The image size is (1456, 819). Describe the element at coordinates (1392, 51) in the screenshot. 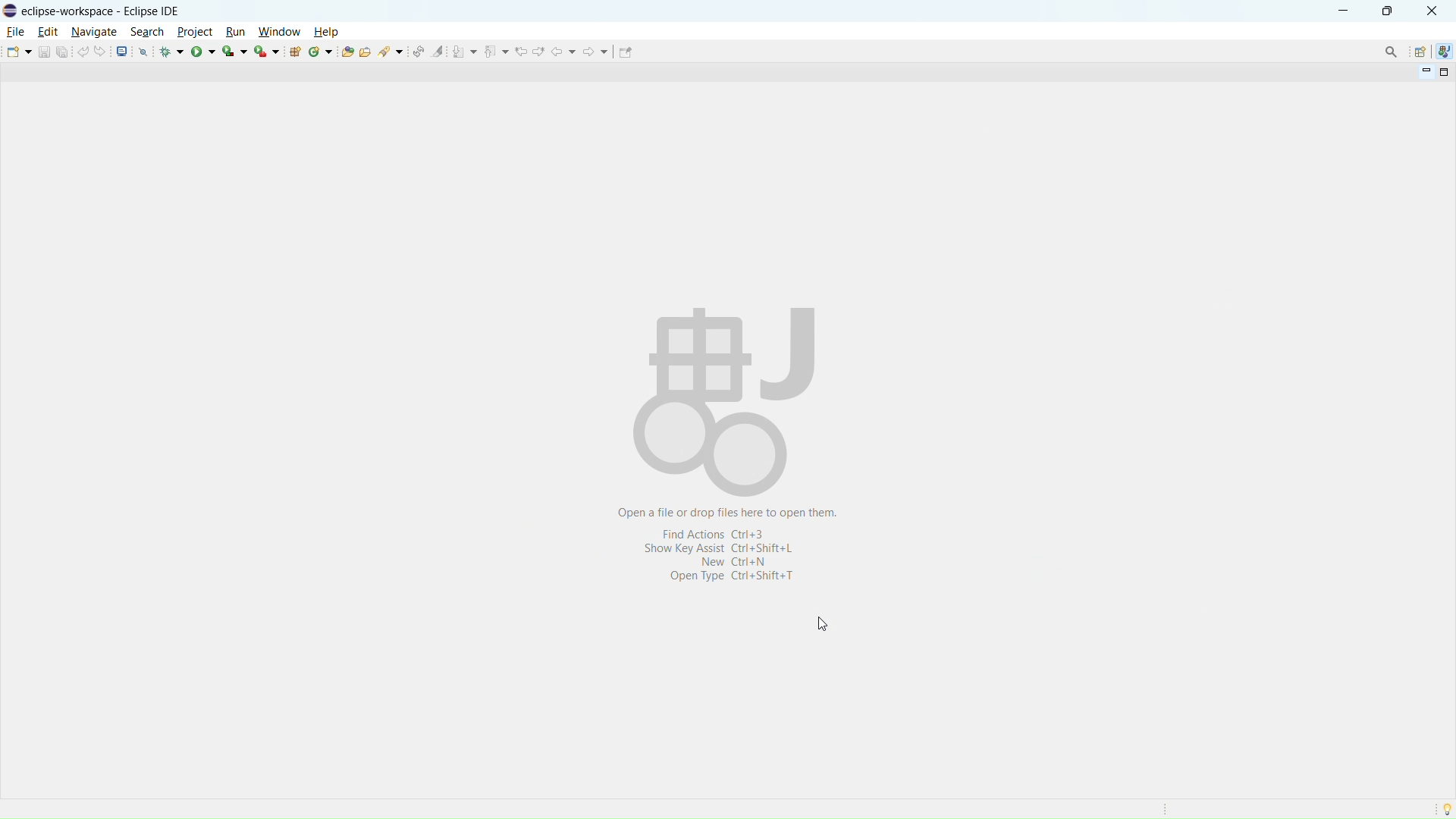

I see `access commands and other items` at that location.